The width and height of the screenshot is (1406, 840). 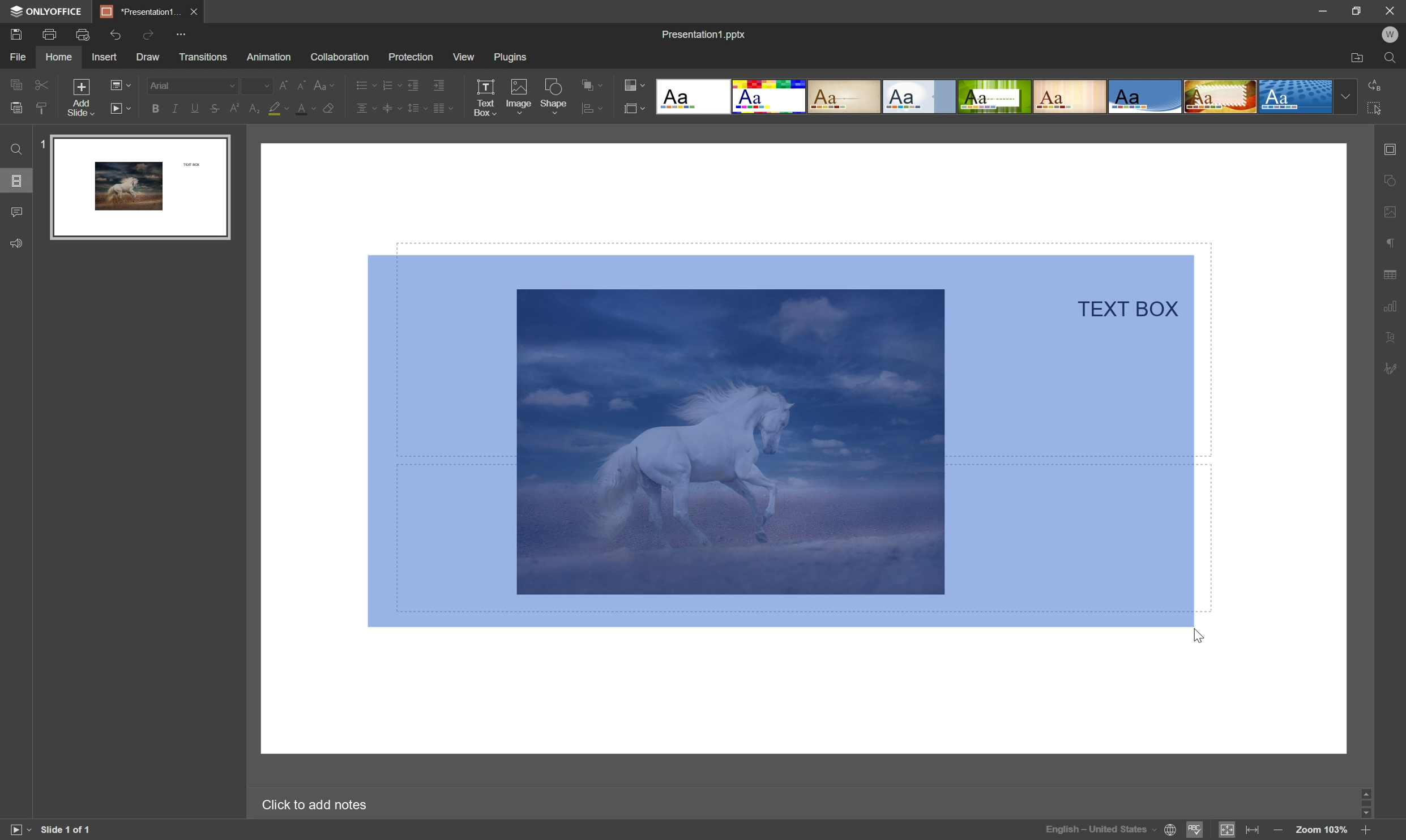 I want to click on presentation.pptx, so click(x=703, y=34).